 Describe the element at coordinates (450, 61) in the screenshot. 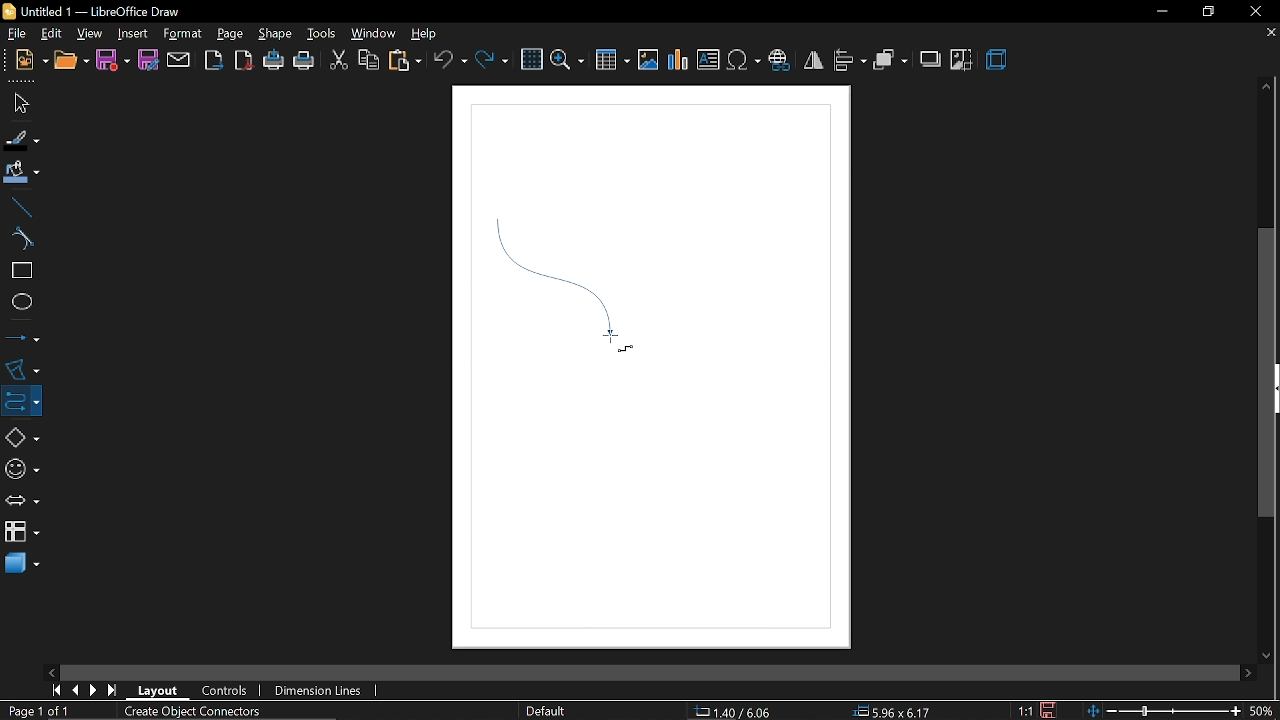

I see `undo` at that location.